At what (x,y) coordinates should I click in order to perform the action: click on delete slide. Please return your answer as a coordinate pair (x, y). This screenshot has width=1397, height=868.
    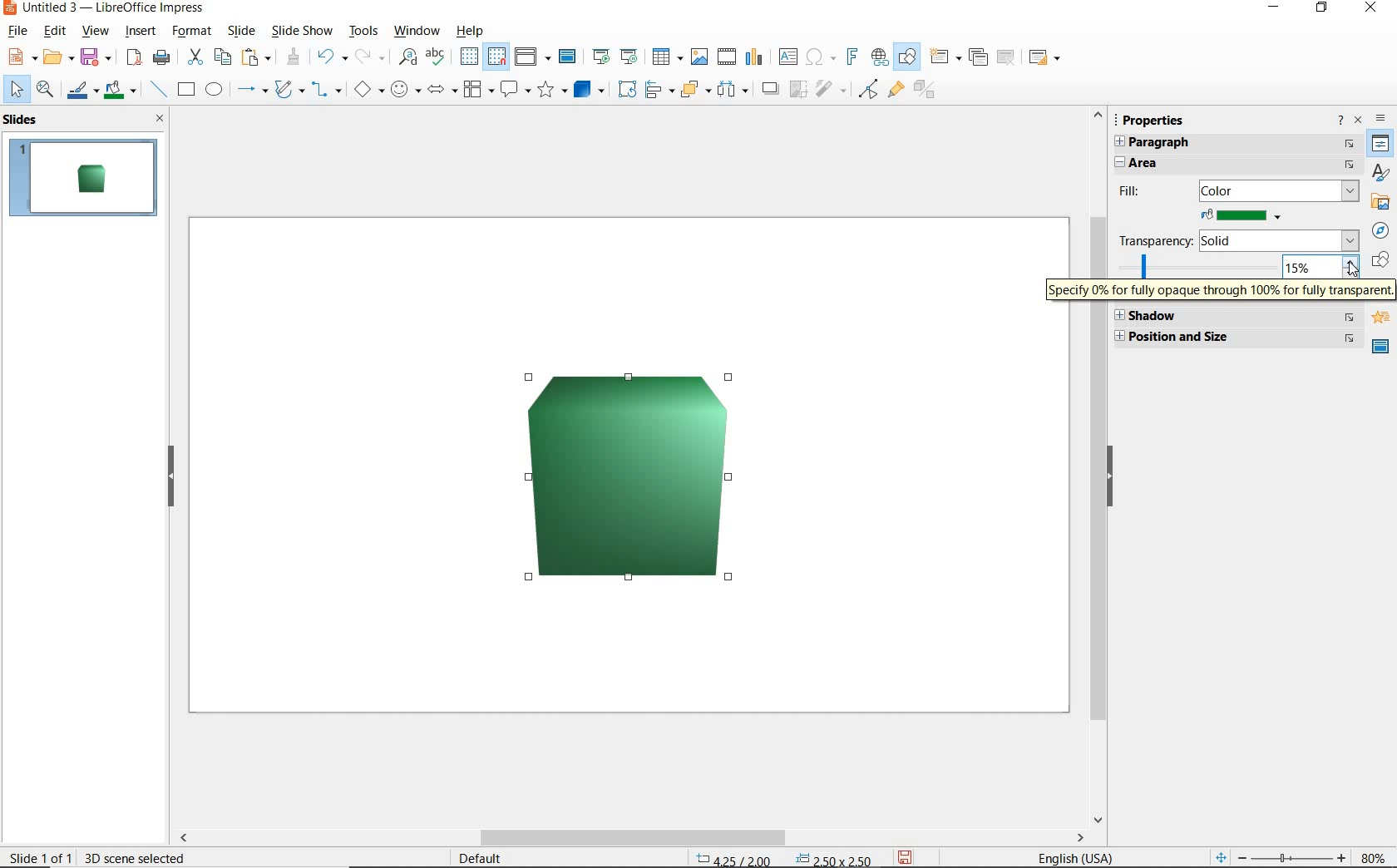
    Looking at the image, I should click on (1007, 57).